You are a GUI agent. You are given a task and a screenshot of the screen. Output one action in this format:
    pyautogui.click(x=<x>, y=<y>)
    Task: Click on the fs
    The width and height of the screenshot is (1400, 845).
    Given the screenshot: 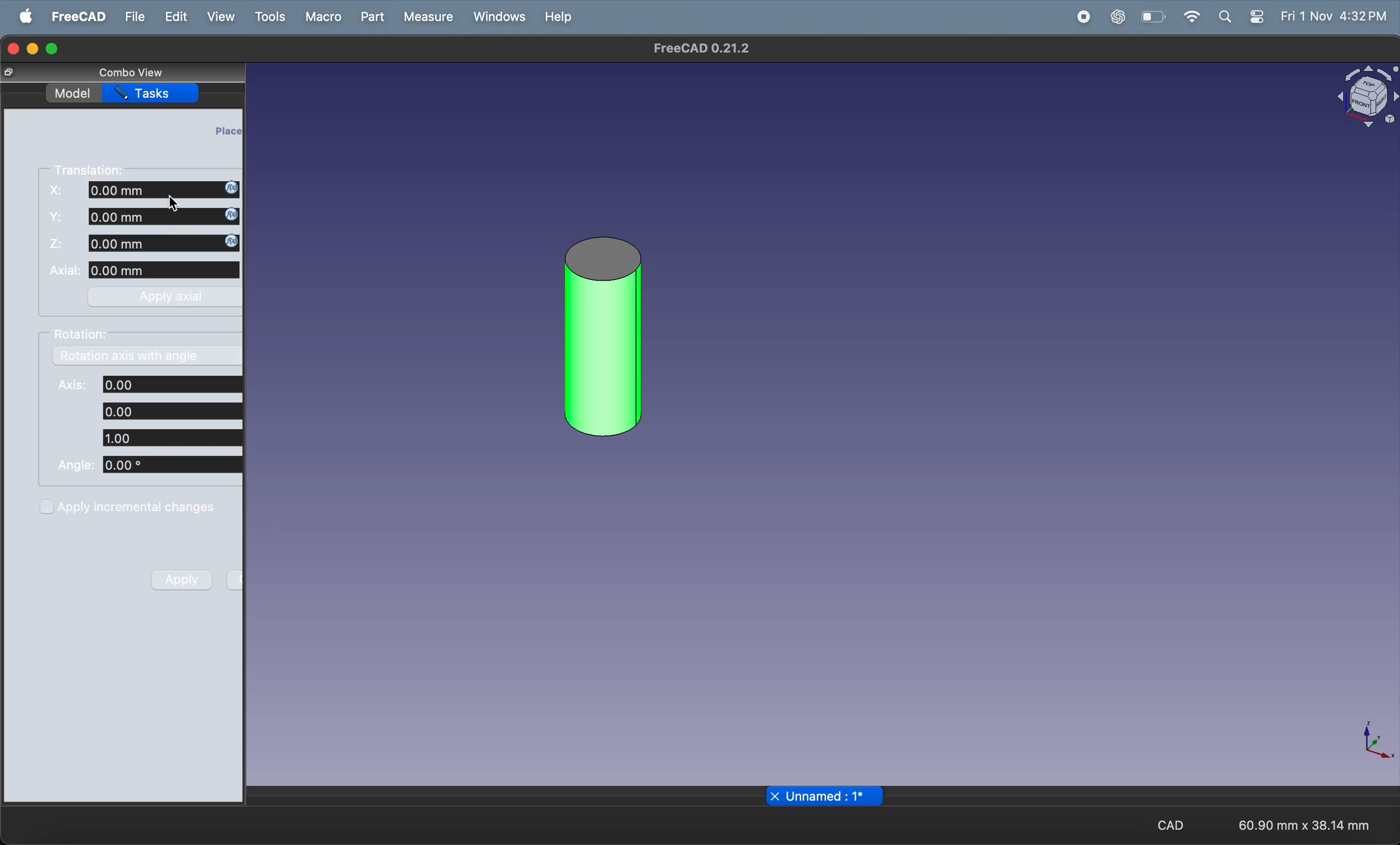 What is the action you would take?
    pyautogui.click(x=59, y=217)
    